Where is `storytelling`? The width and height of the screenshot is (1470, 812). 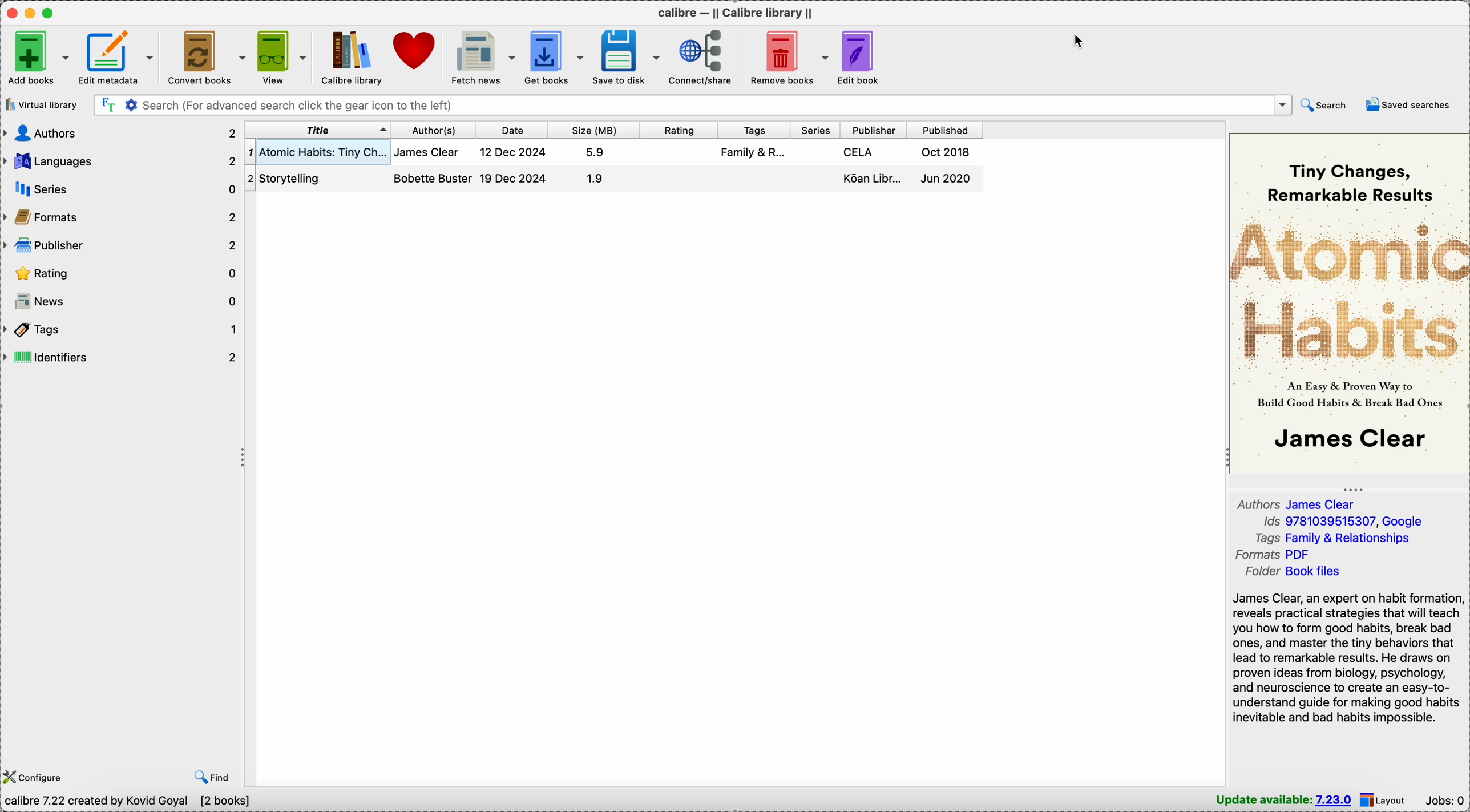
storytelling is located at coordinates (297, 177).